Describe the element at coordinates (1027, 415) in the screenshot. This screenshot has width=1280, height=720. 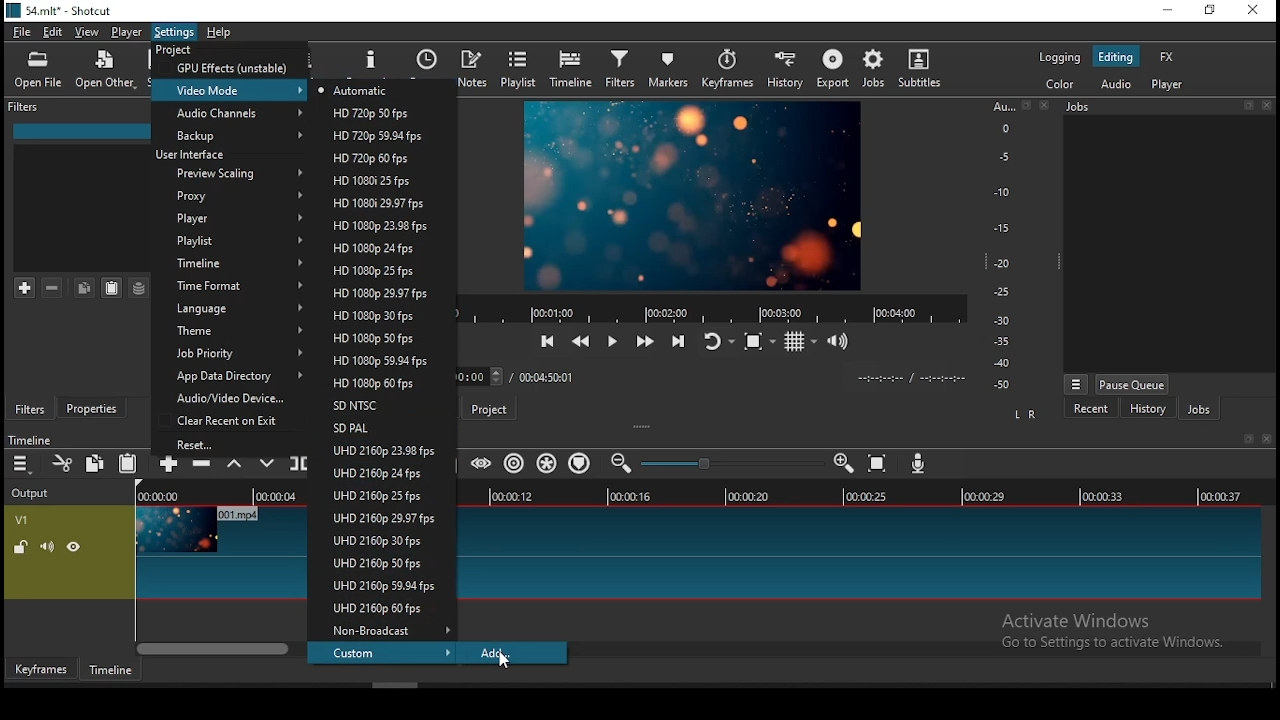
I see `L R` at that location.